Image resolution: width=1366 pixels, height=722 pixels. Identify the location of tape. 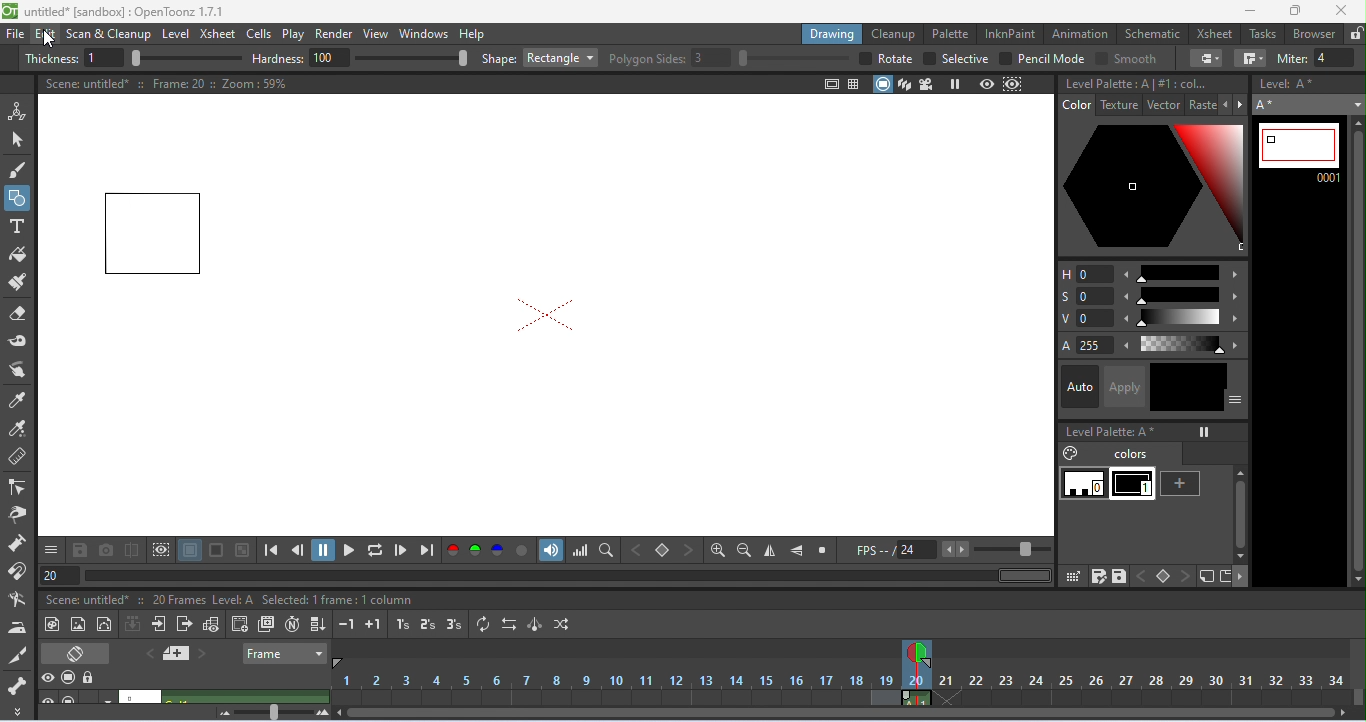
(16, 337).